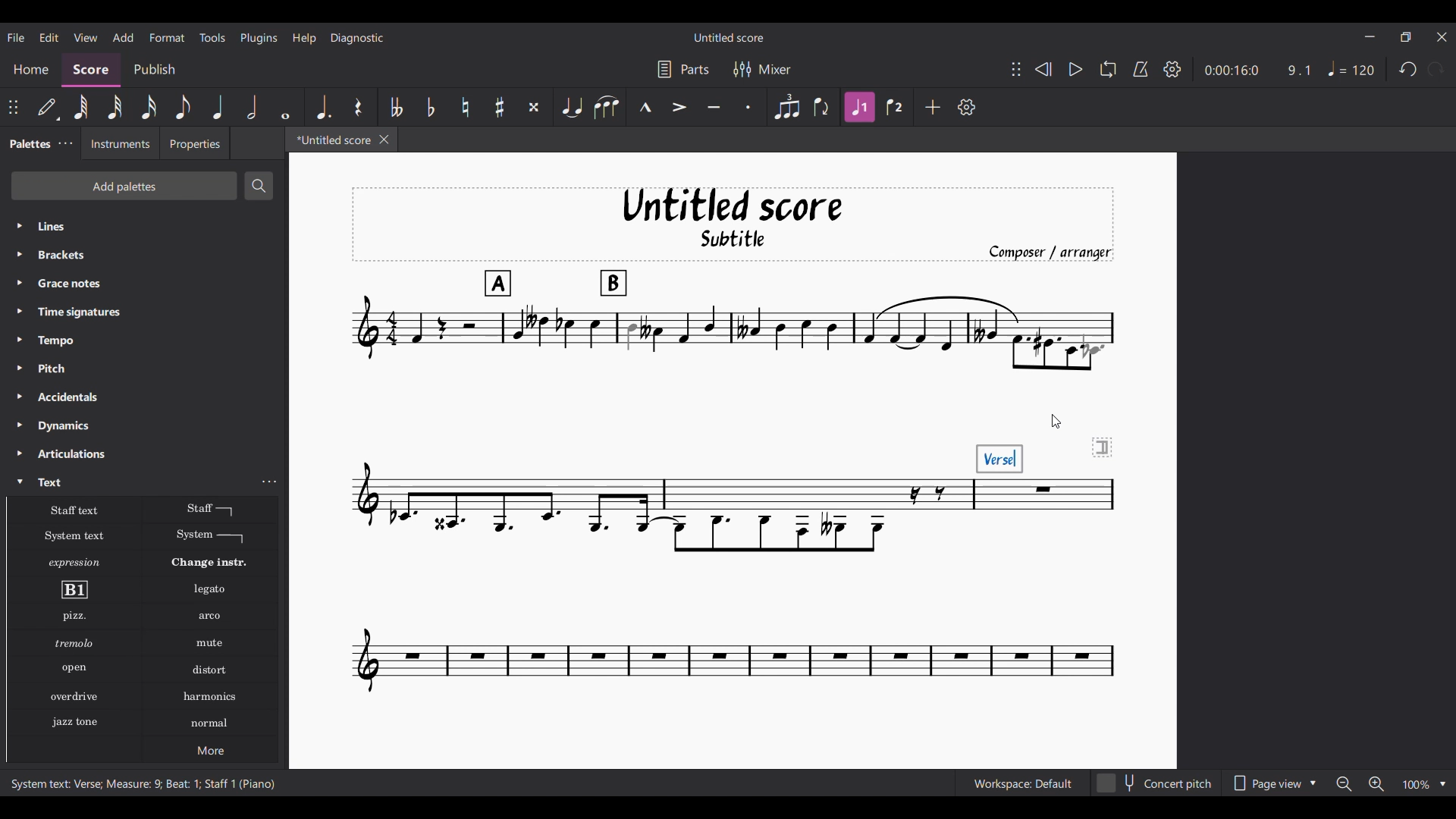 The image size is (1456, 819). I want to click on Arko, so click(210, 617).